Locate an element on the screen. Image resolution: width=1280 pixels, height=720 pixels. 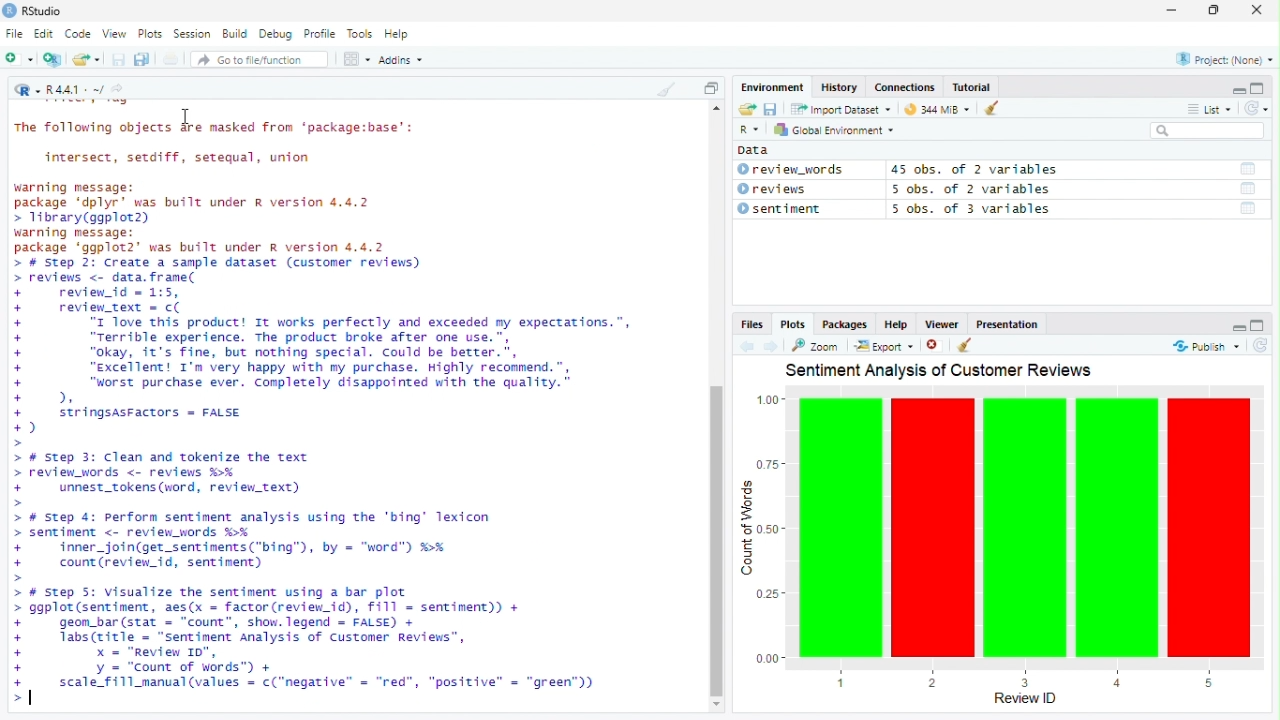
> # Step 2: Create a sample dataset (customer reviews)
reviews <- data. frane(
review id = 1:5,
review text = c(
“I love this product! It works perfectly and exceeded my expectations.”
“Terrible experience. The product broke after one use.”,
“okay, ft's fine, but nothing special. Could be better.”,
“excellent! I'm very happy with my purchase. Highly recommend.”
"Worst purchase ever. Conpletely disappointed with the quality.”
J.
stringsasfactors = FALSE
) is located at coordinates (328, 348).